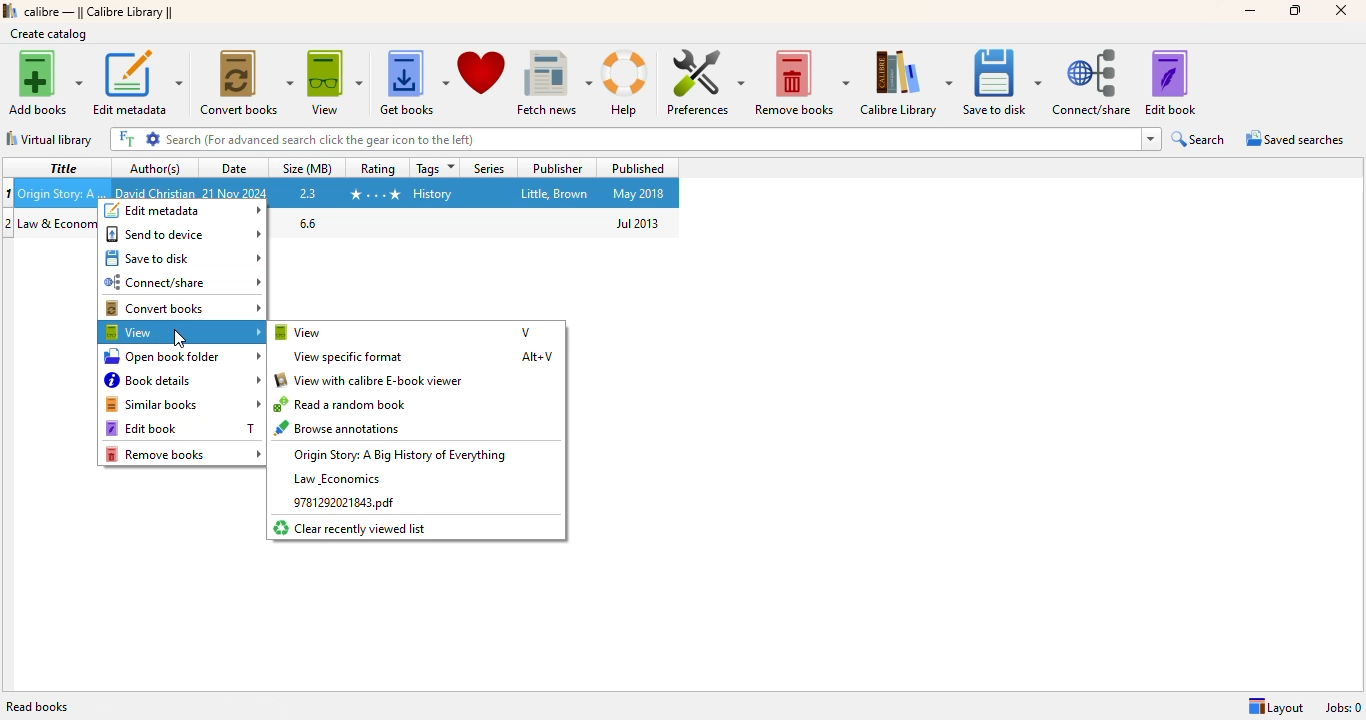 This screenshot has width=1366, height=720. I want to click on search, so click(651, 139).